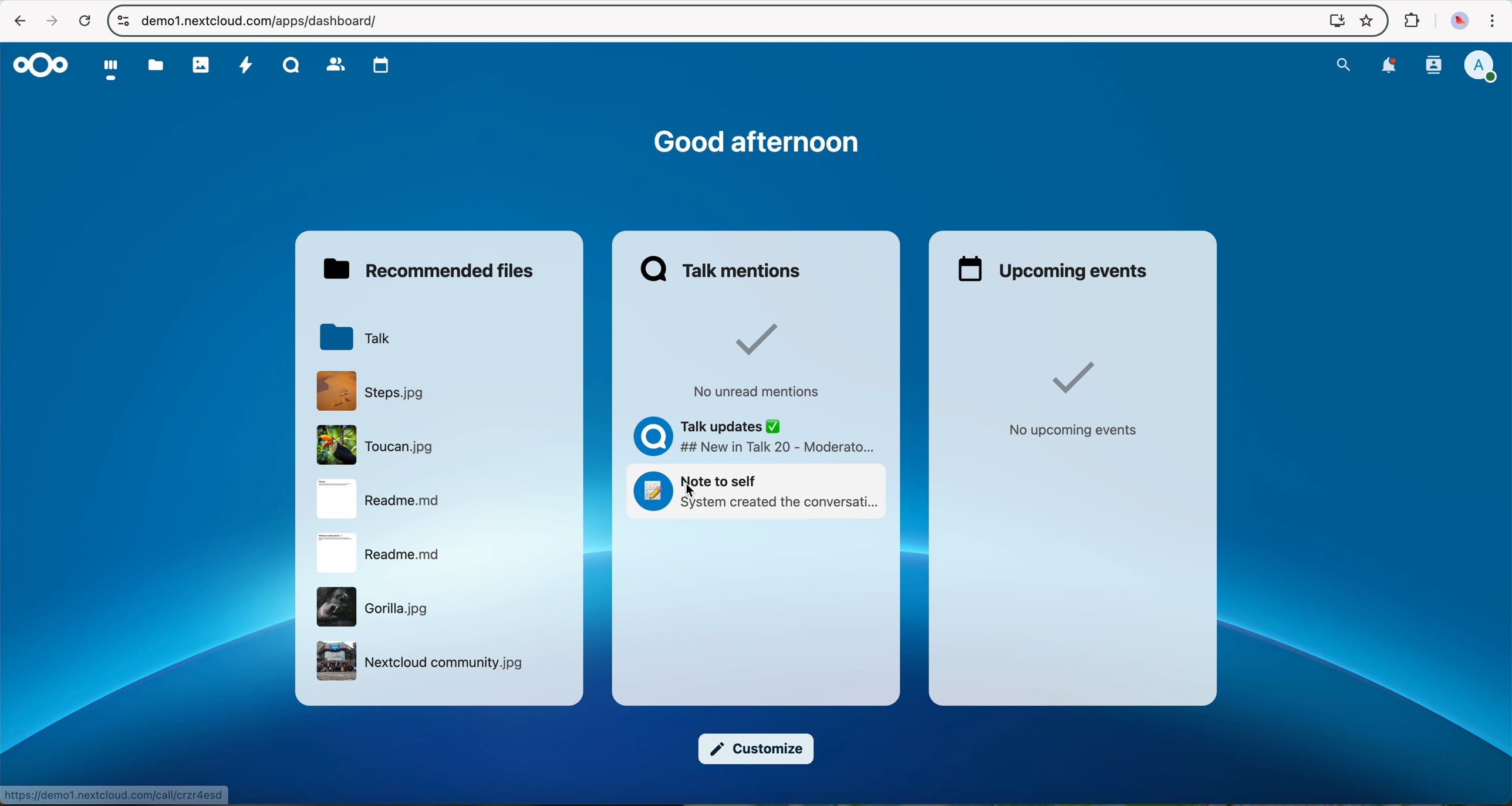 The image size is (1512, 806). I want to click on notifications, so click(1392, 67).